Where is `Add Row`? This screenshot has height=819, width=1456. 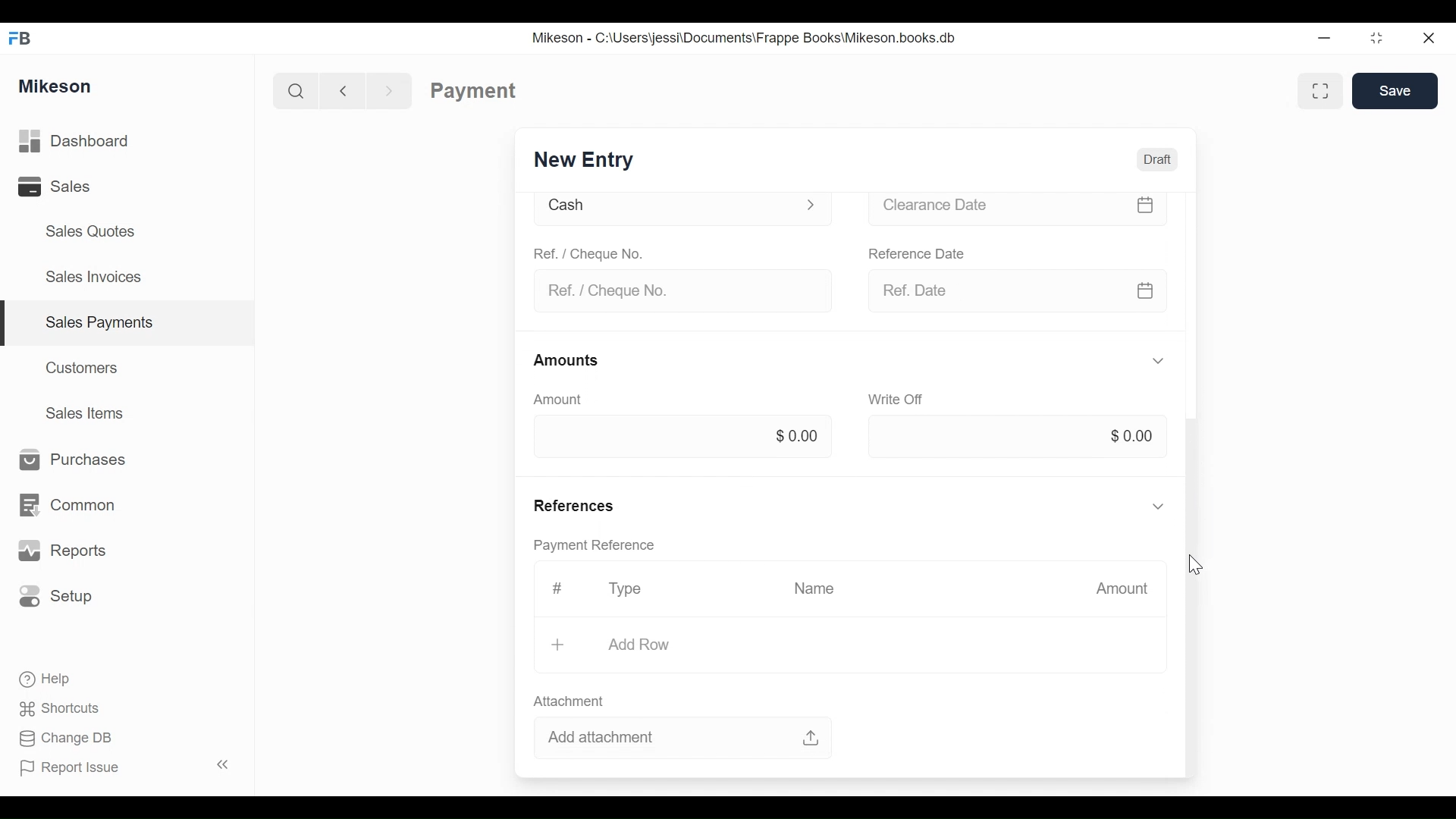
Add Row is located at coordinates (636, 645).